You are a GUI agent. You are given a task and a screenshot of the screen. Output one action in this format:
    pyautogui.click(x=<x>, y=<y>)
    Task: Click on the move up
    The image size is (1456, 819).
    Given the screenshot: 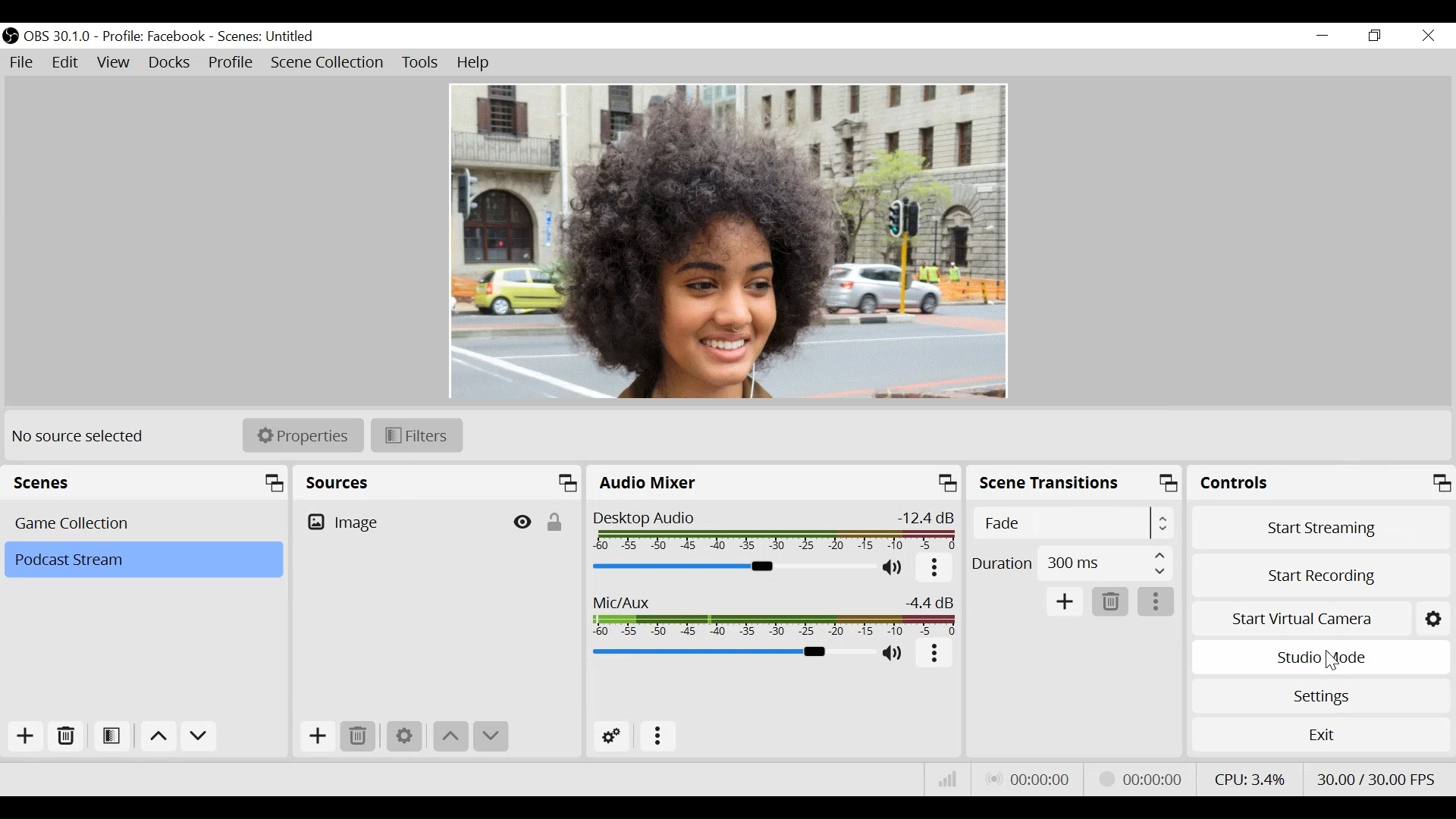 What is the action you would take?
    pyautogui.click(x=158, y=736)
    